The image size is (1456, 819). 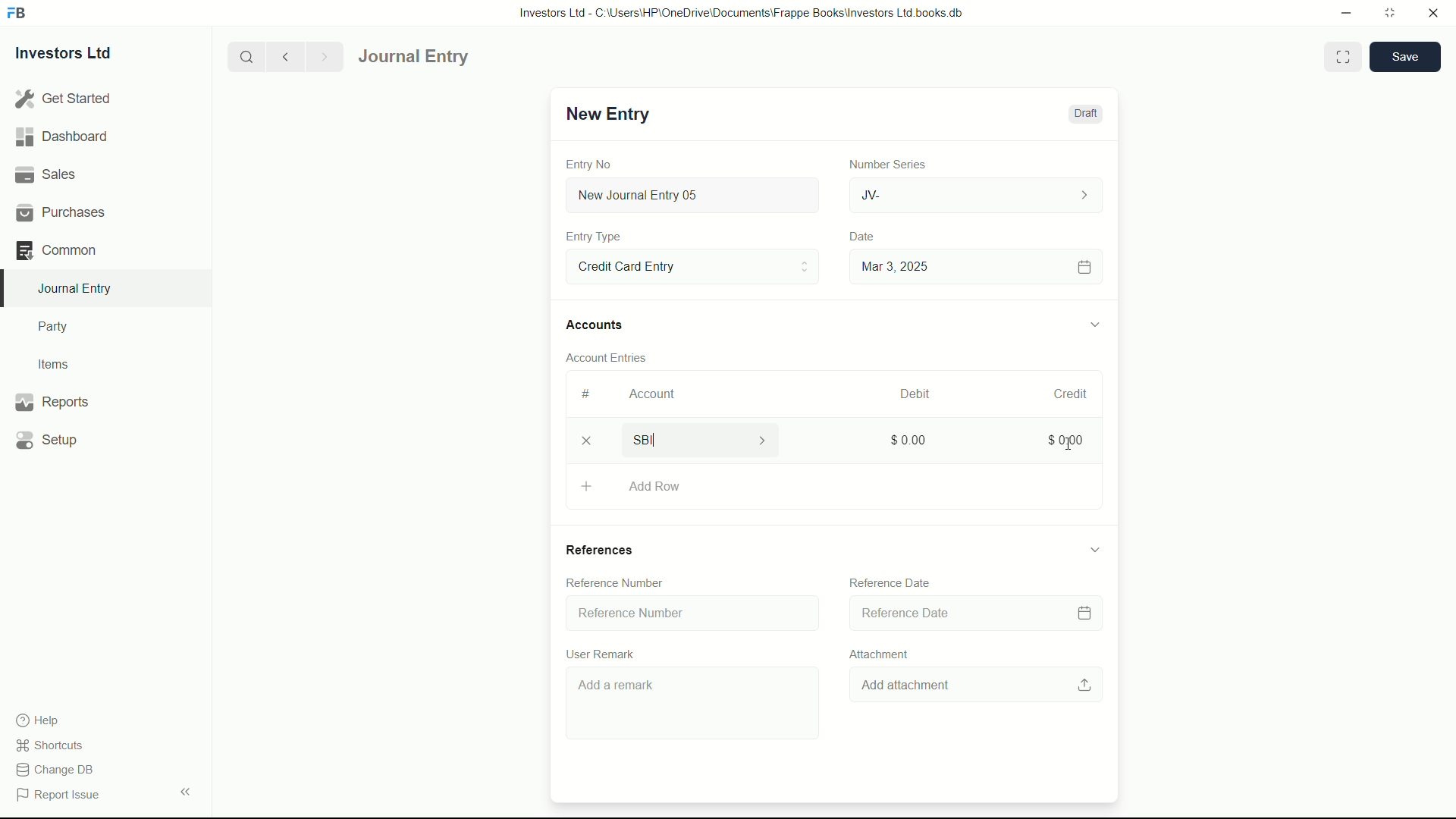 What do you see at coordinates (185, 790) in the screenshot?
I see `expand/collapse` at bounding box center [185, 790].